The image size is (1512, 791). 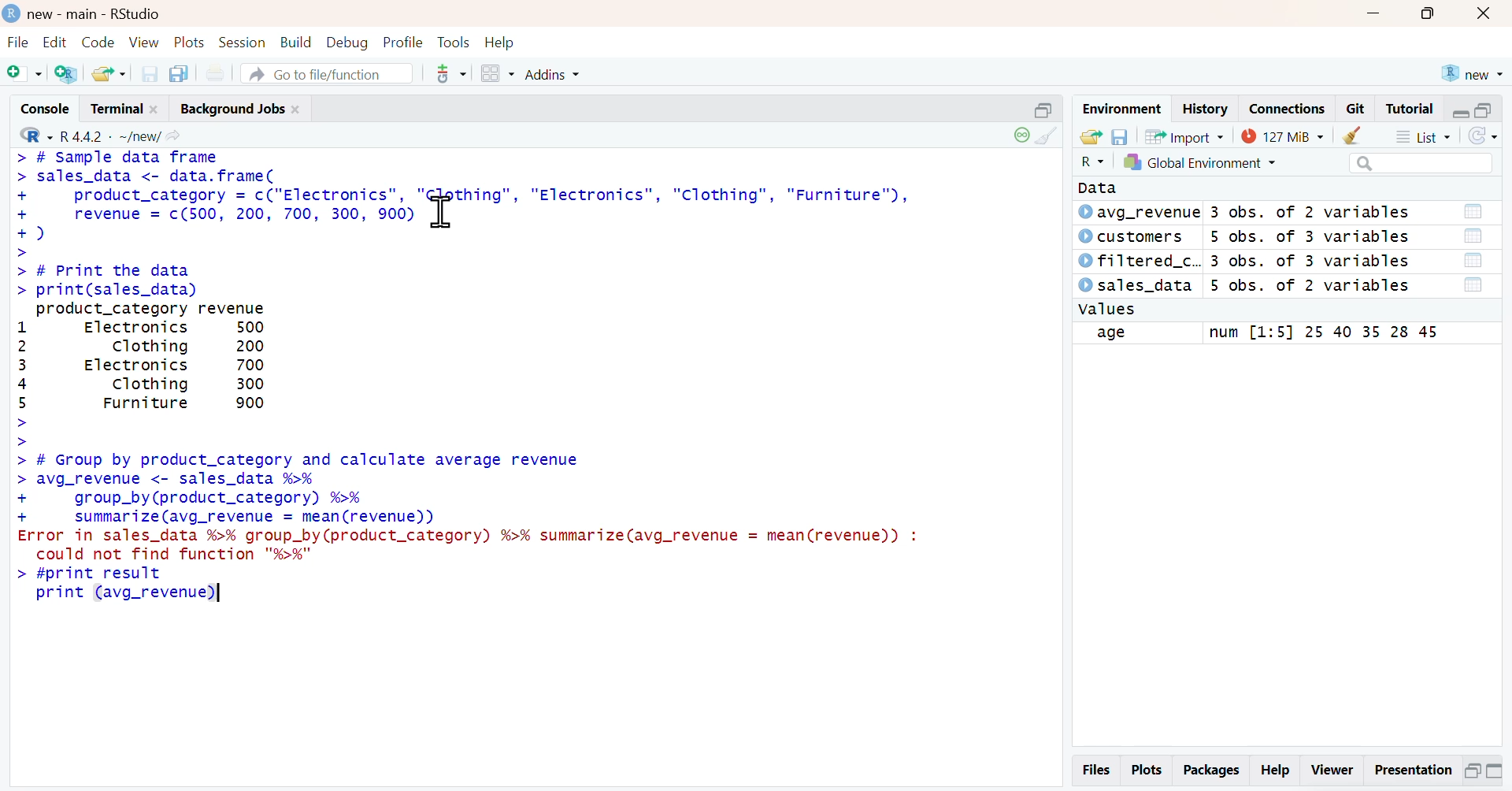 I want to click on Save Current Document, so click(x=150, y=75).